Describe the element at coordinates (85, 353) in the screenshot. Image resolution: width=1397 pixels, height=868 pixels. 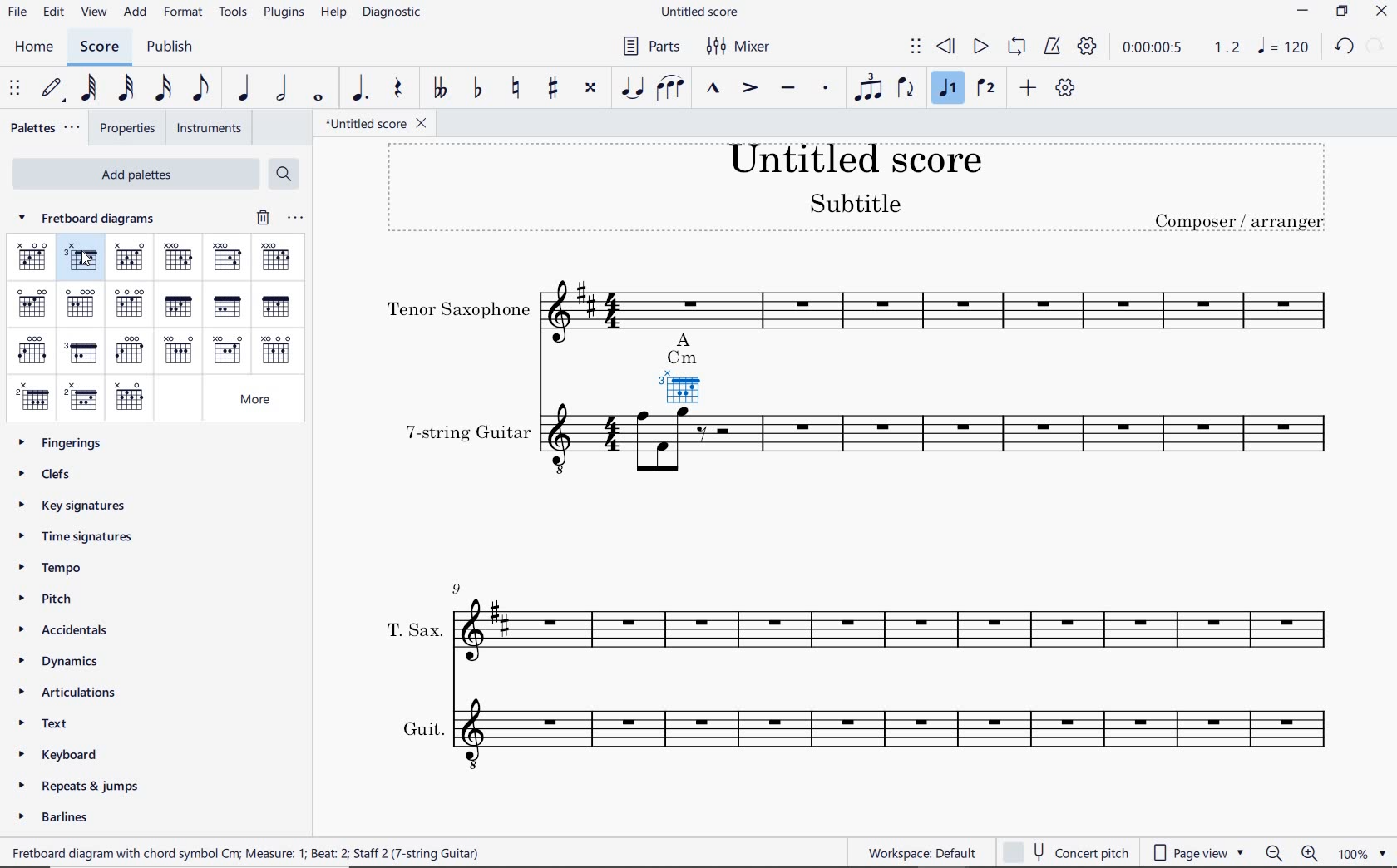
I see `GM` at that location.